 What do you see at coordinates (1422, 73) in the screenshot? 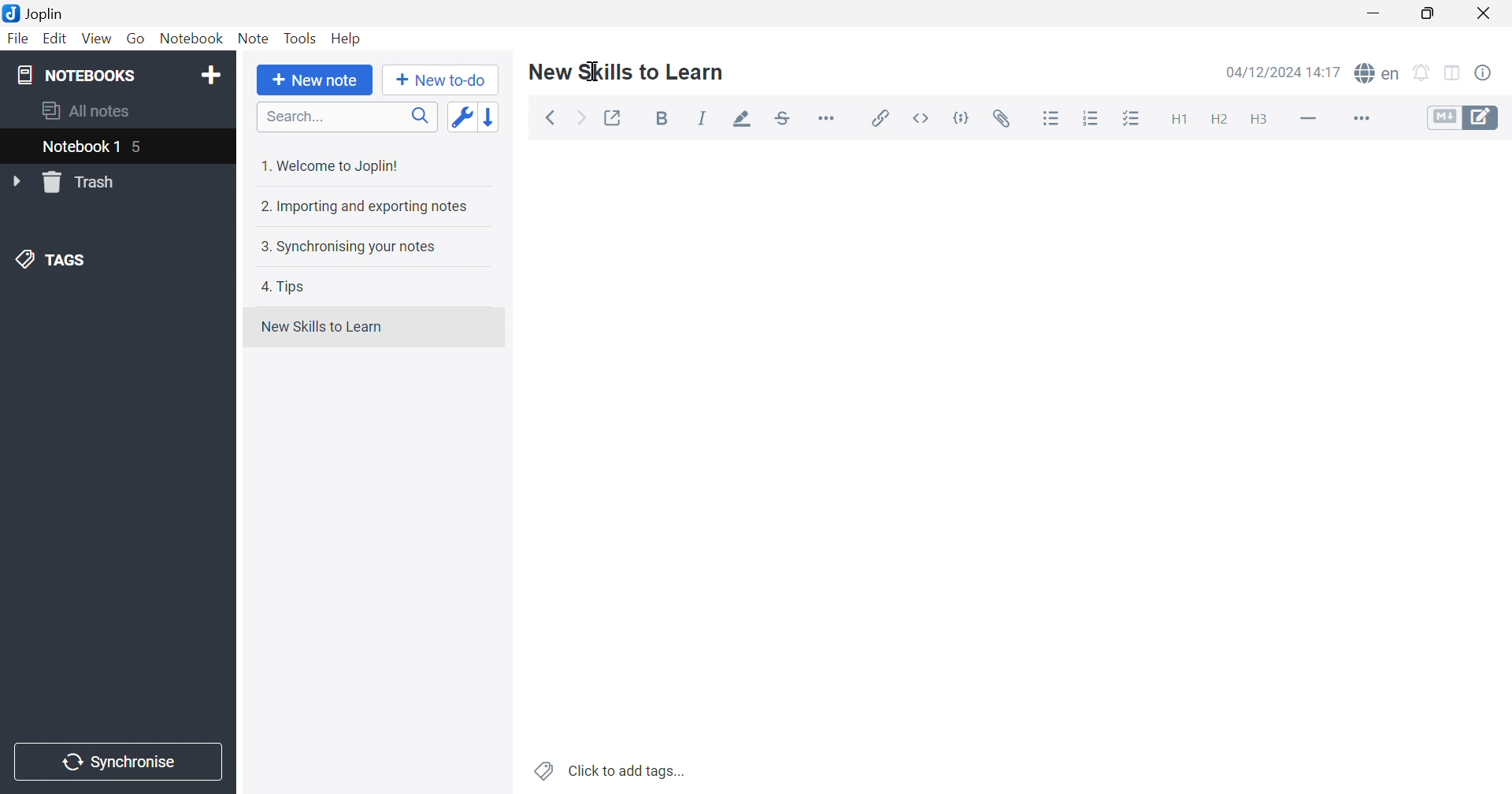
I see `Set alarm` at bounding box center [1422, 73].